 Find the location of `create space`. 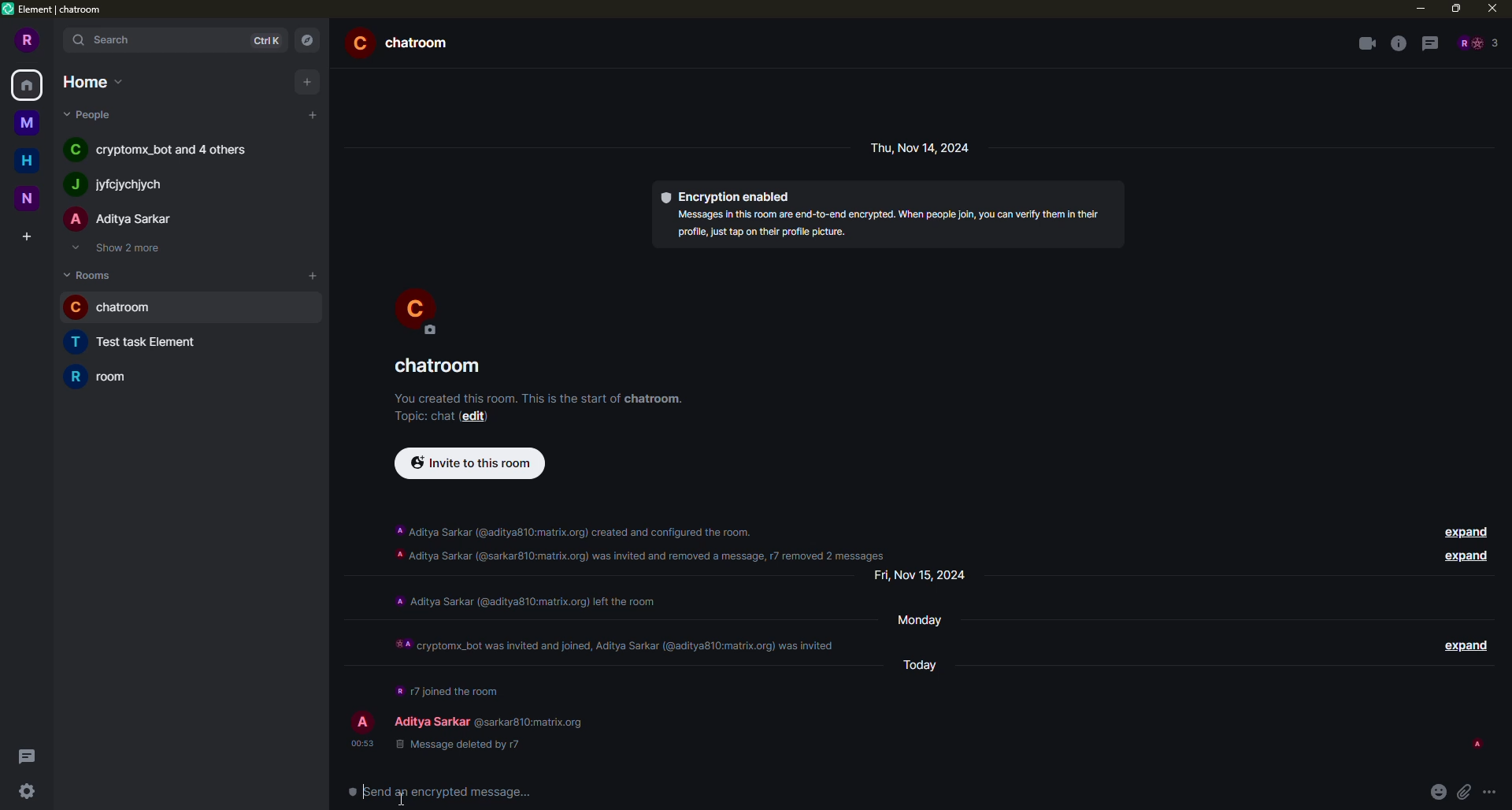

create space is located at coordinates (24, 236).